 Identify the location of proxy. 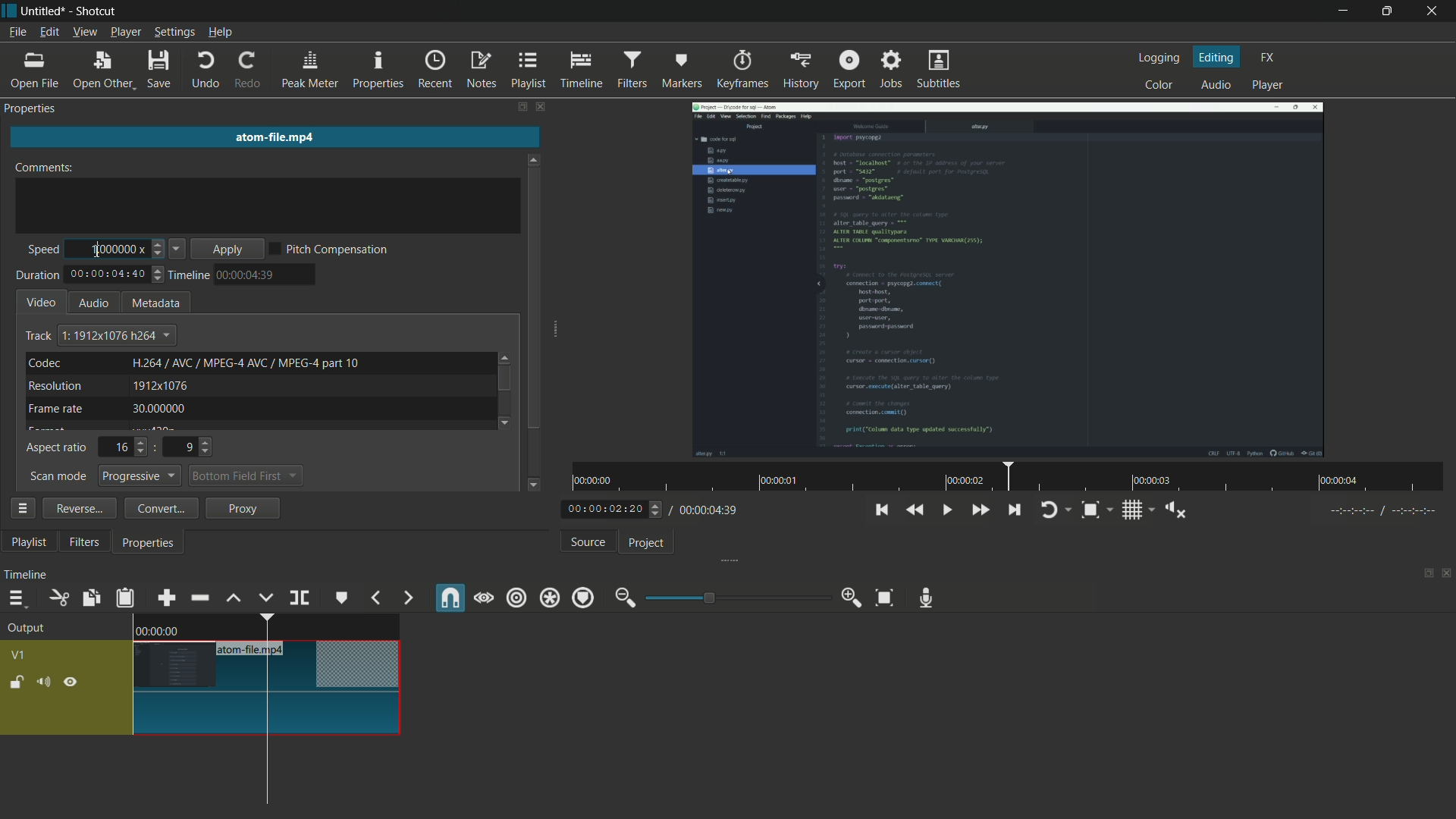
(241, 507).